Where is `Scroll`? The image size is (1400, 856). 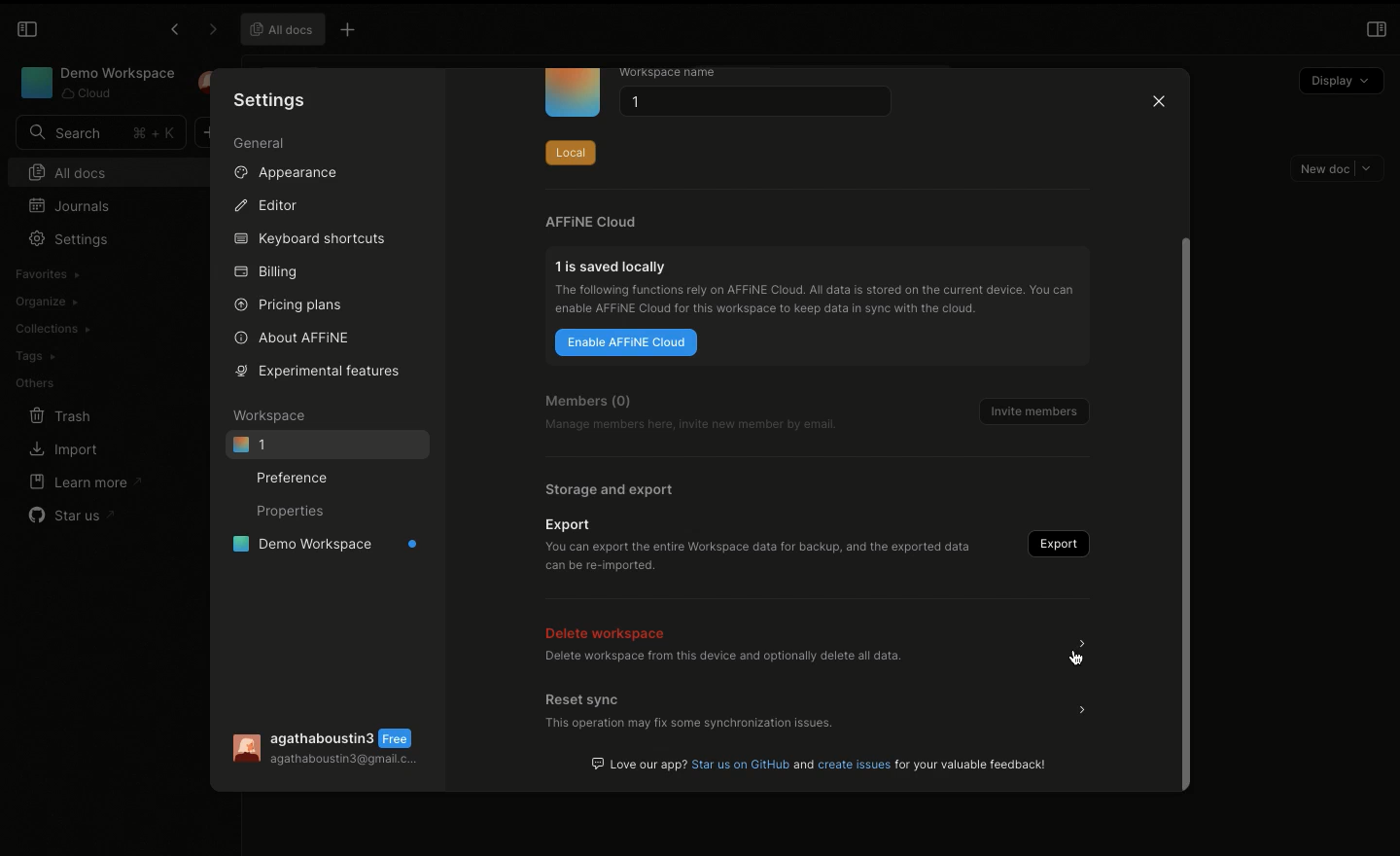 Scroll is located at coordinates (1188, 433).